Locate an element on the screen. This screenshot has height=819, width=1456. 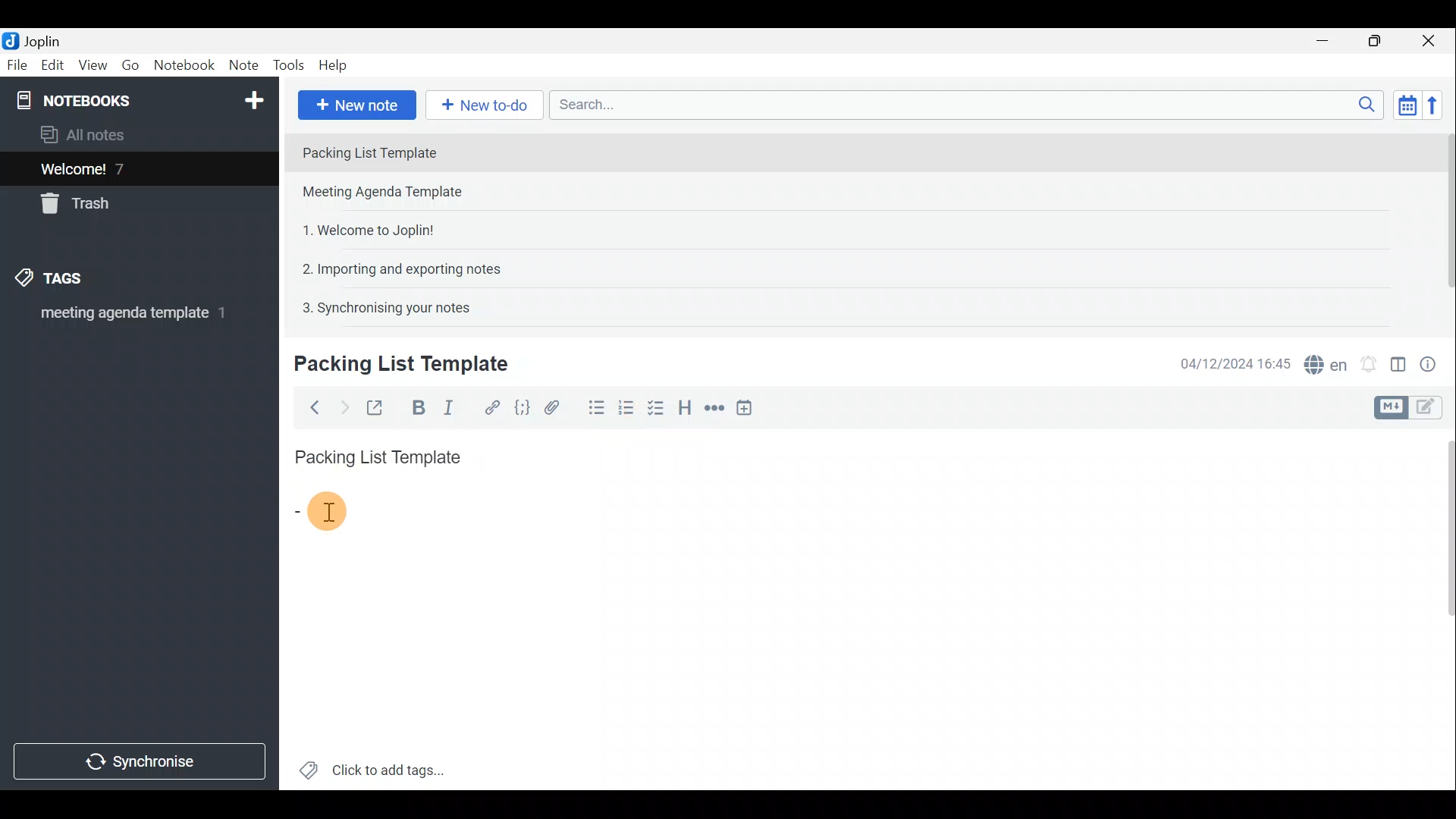
Note is located at coordinates (243, 66).